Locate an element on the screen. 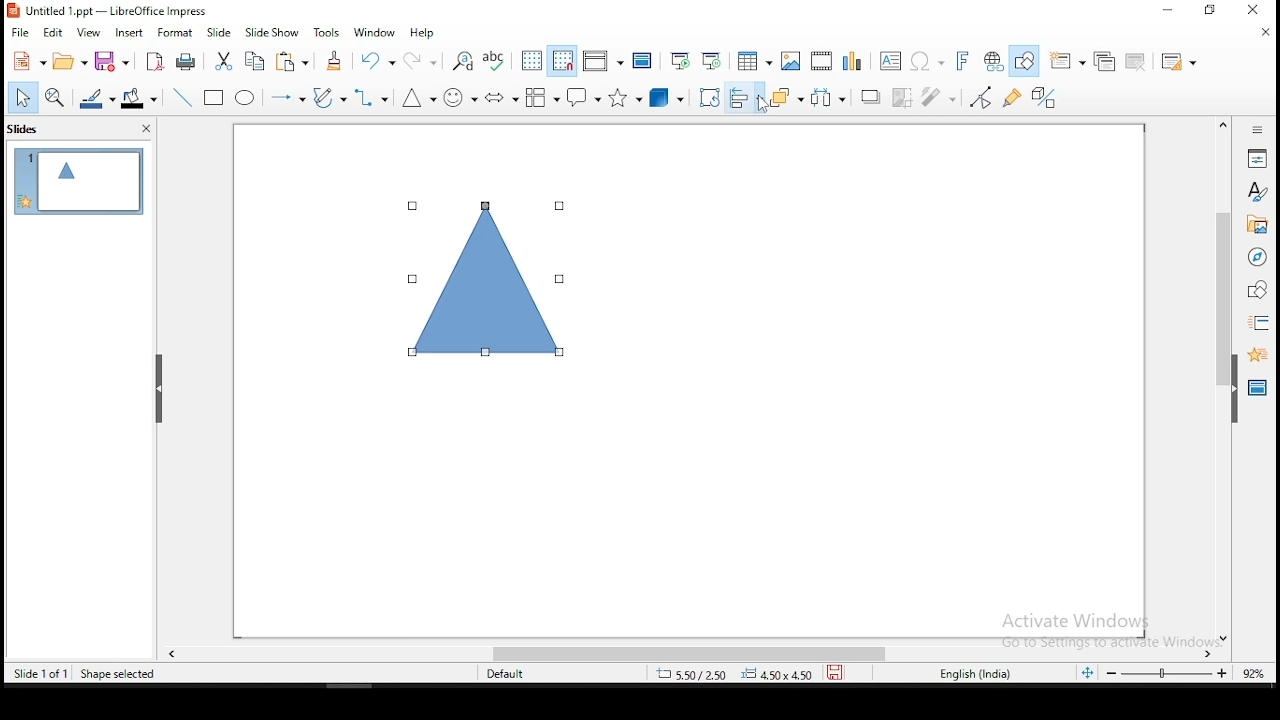 This screenshot has height=720, width=1280. line is located at coordinates (185, 96).